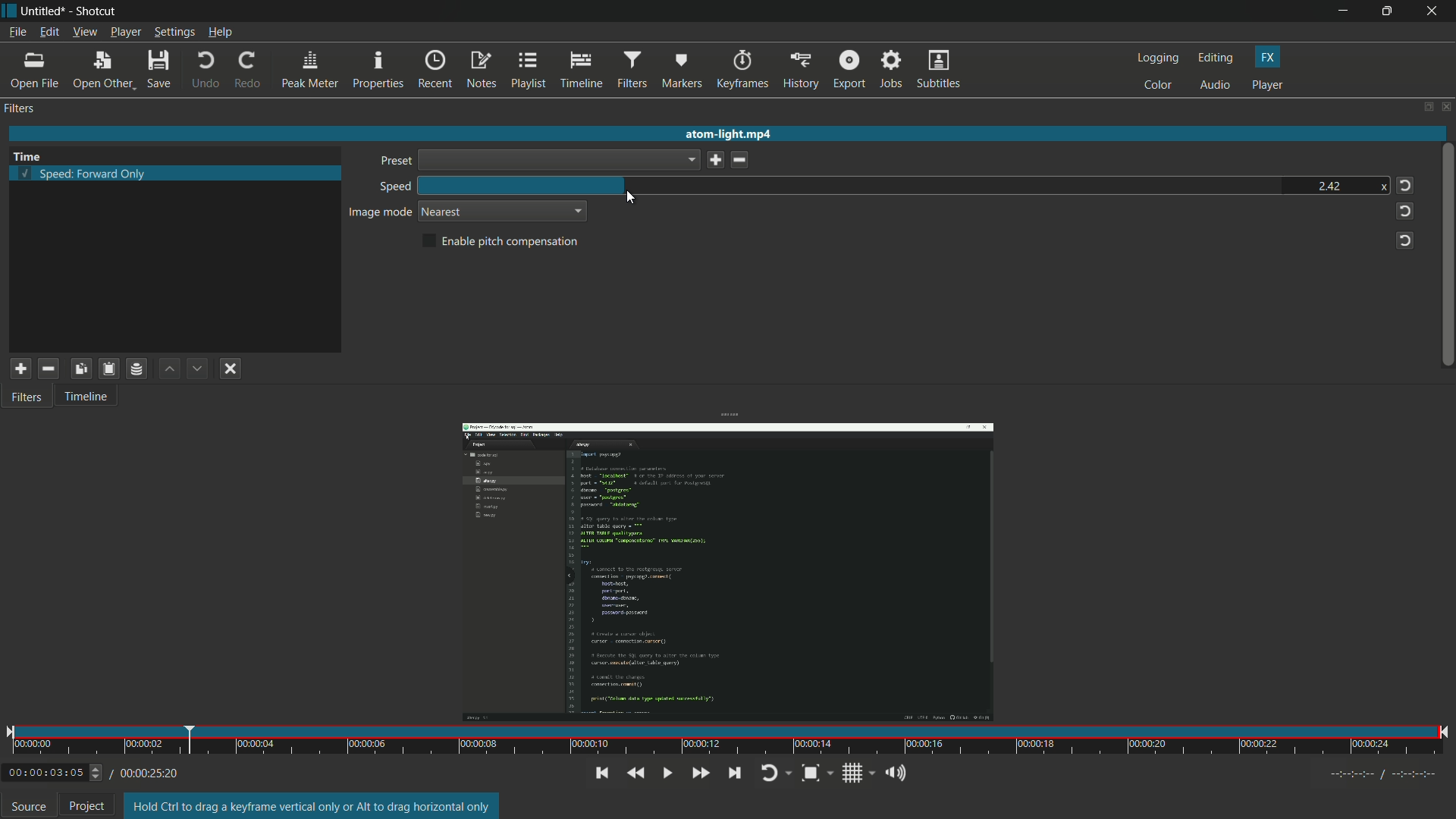 This screenshot has width=1456, height=819. I want to click on play quickly forward, so click(702, 772).